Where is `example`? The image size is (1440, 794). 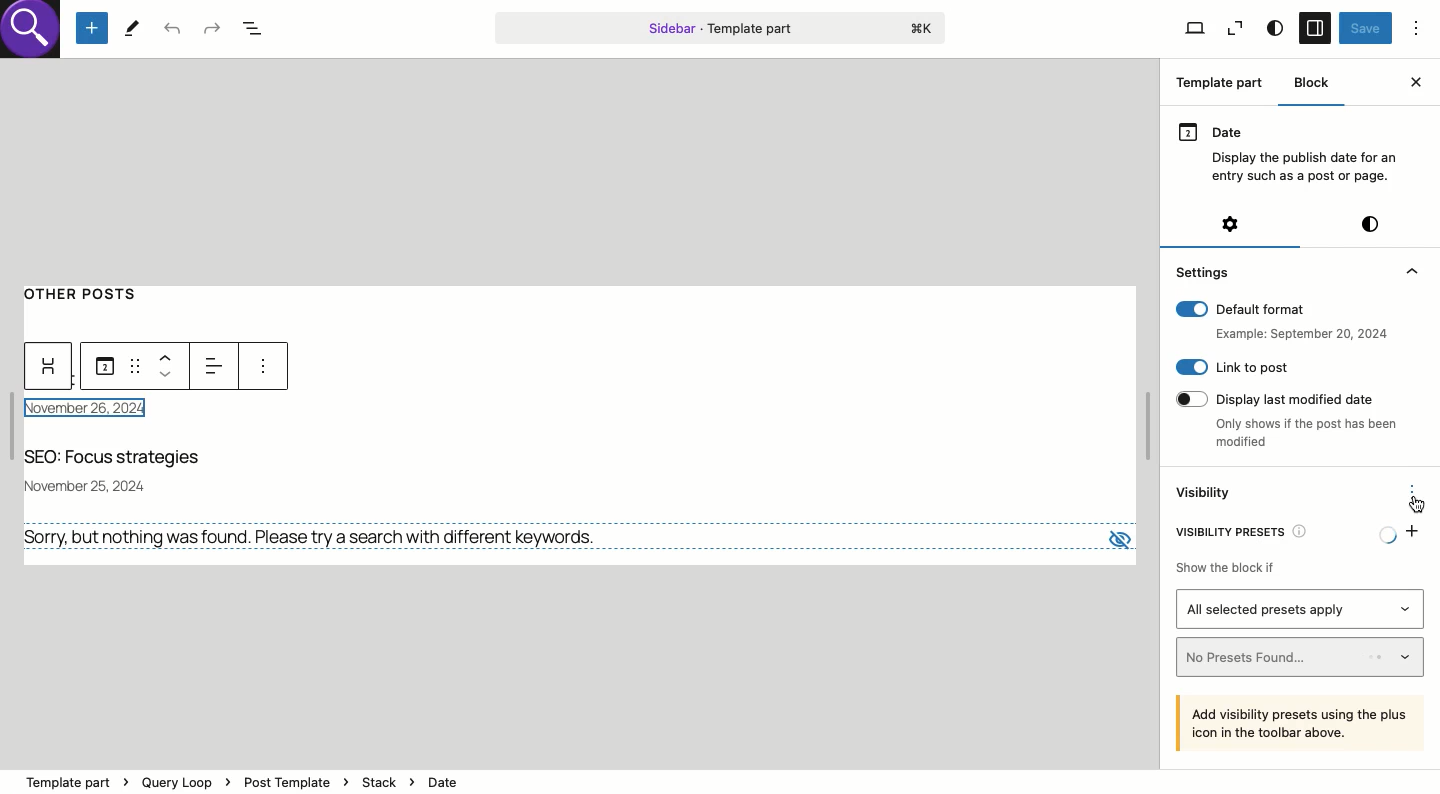
example is located at coordinates (1297, 334).